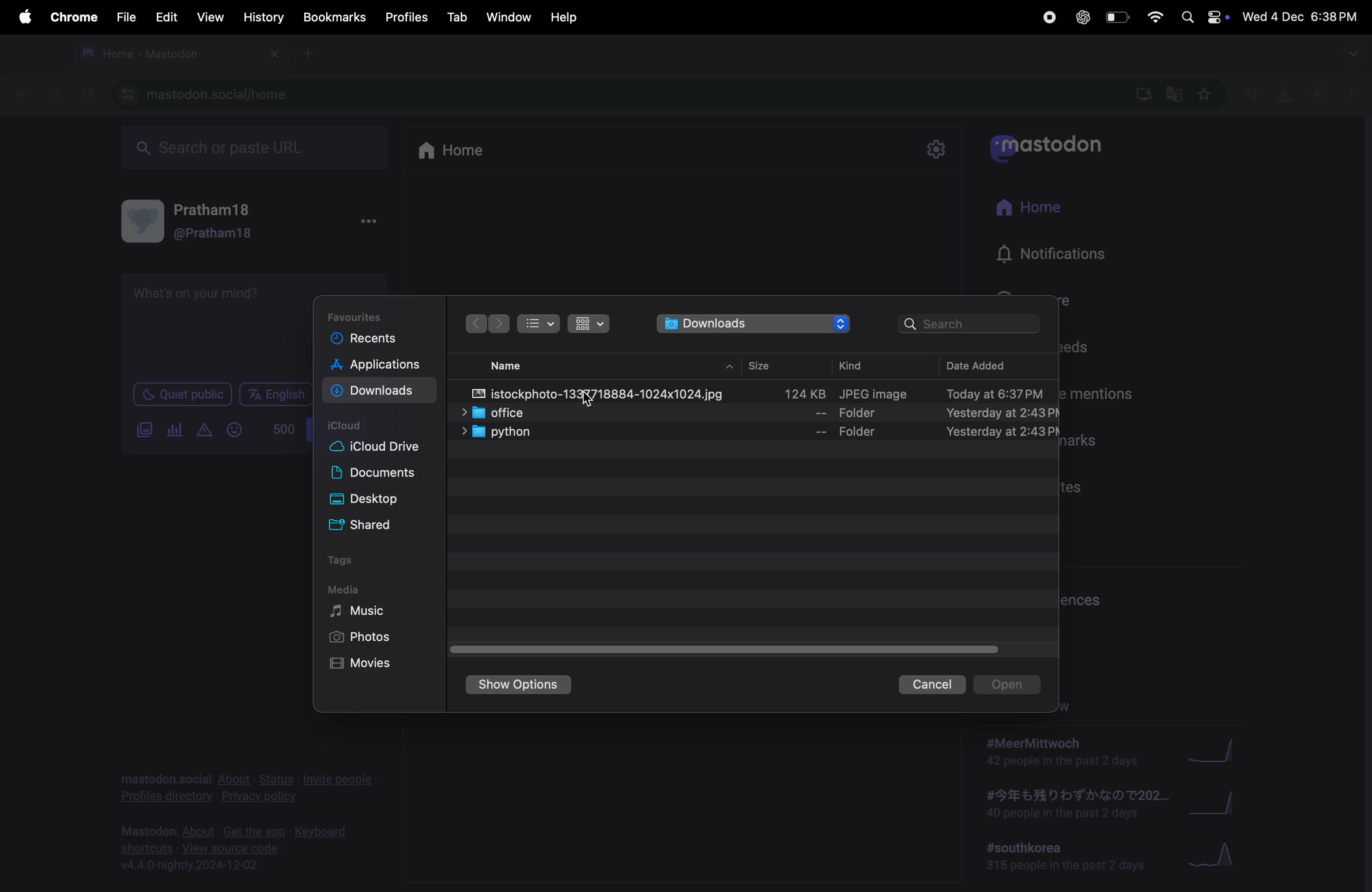 This screenshot has width=1372, height=892. What do you see at coordinates (520, 685) in the screenshot?
I see `show options` at bounding box center [520, 685].